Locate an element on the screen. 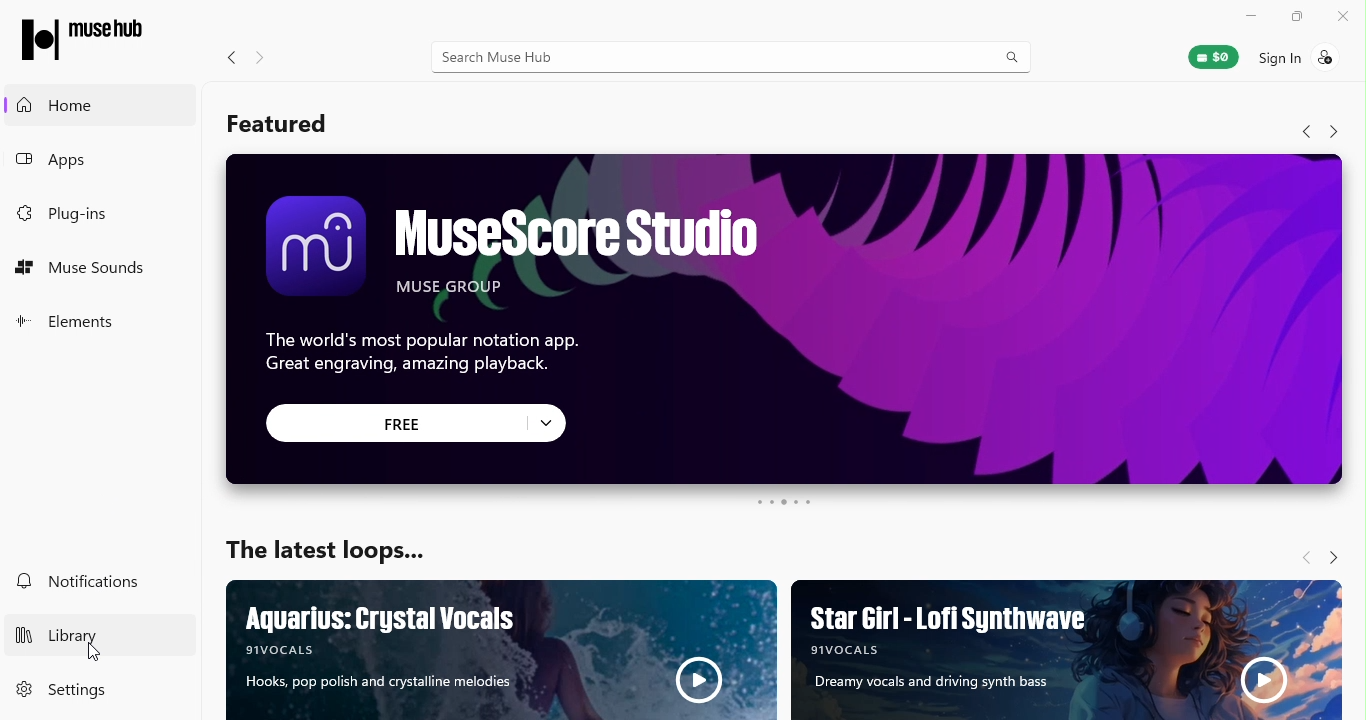  Navigate forward is located at coordinates (263, 54).